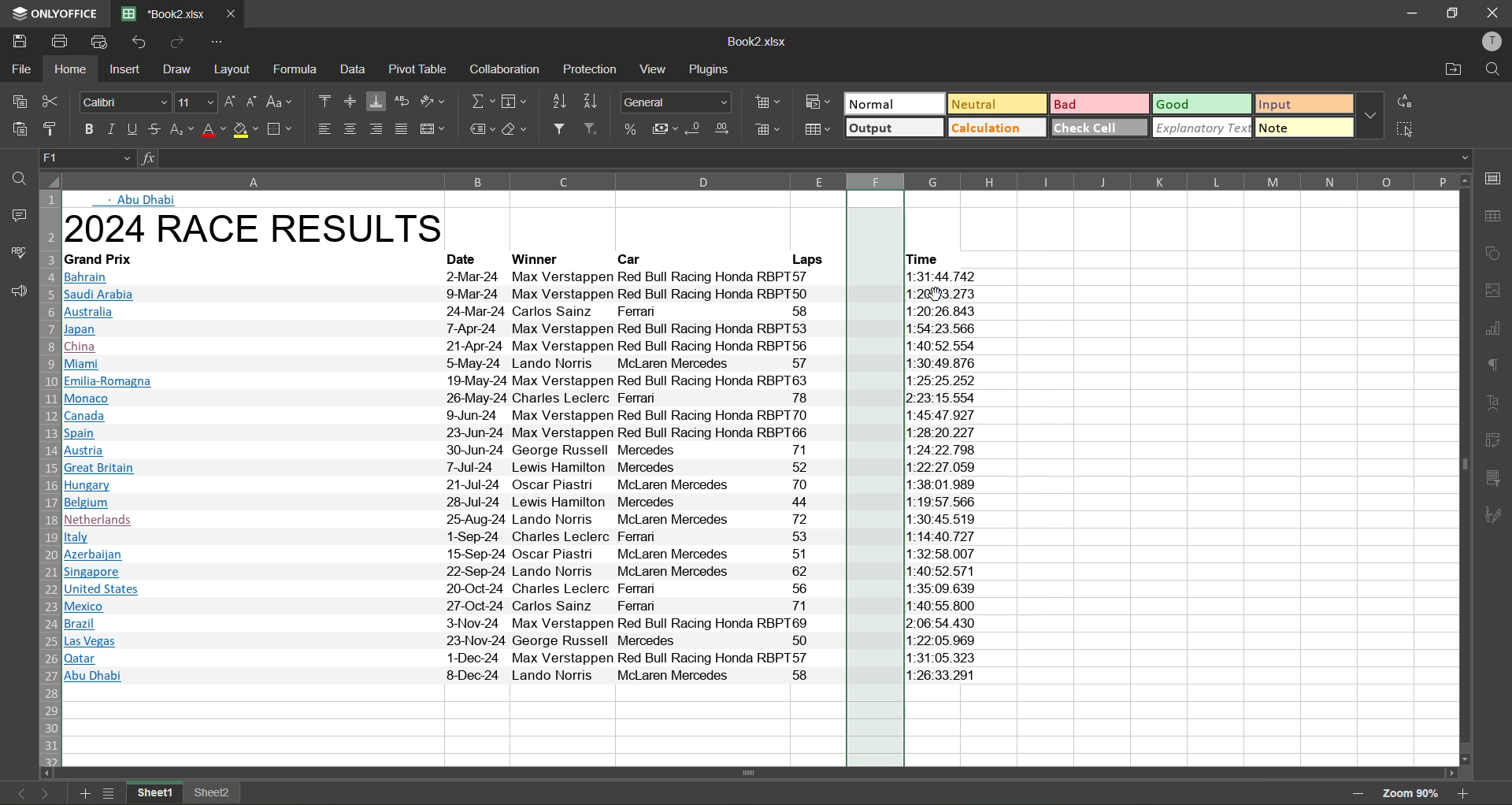  What do you see at coordinates (591, 102) in the screenshot?
I see `sort descending` at bounding box center [591, 102].